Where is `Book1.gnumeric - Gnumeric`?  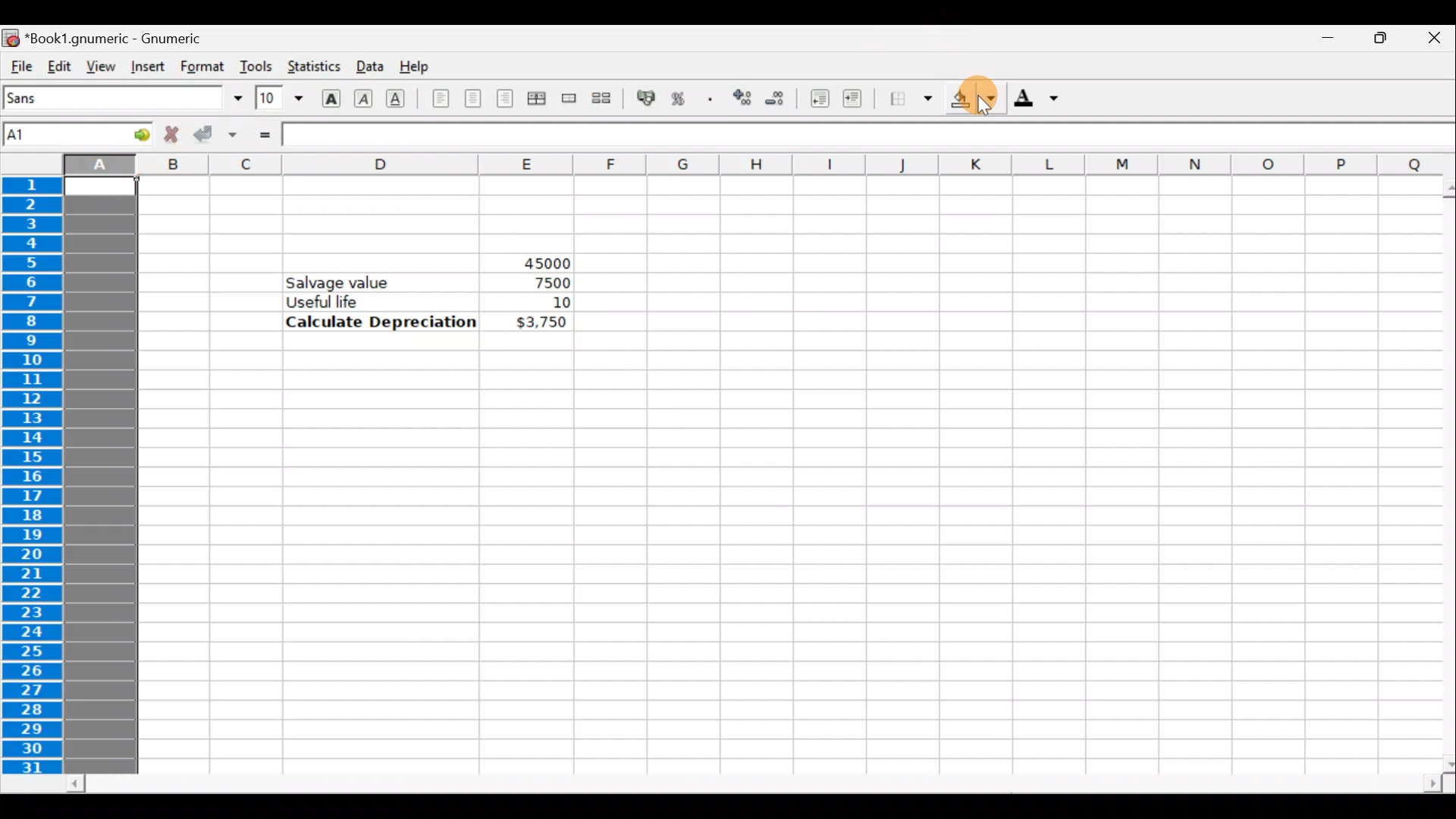 Book1.gnumeric - Gnumeric is located at coordinates (122, 37).